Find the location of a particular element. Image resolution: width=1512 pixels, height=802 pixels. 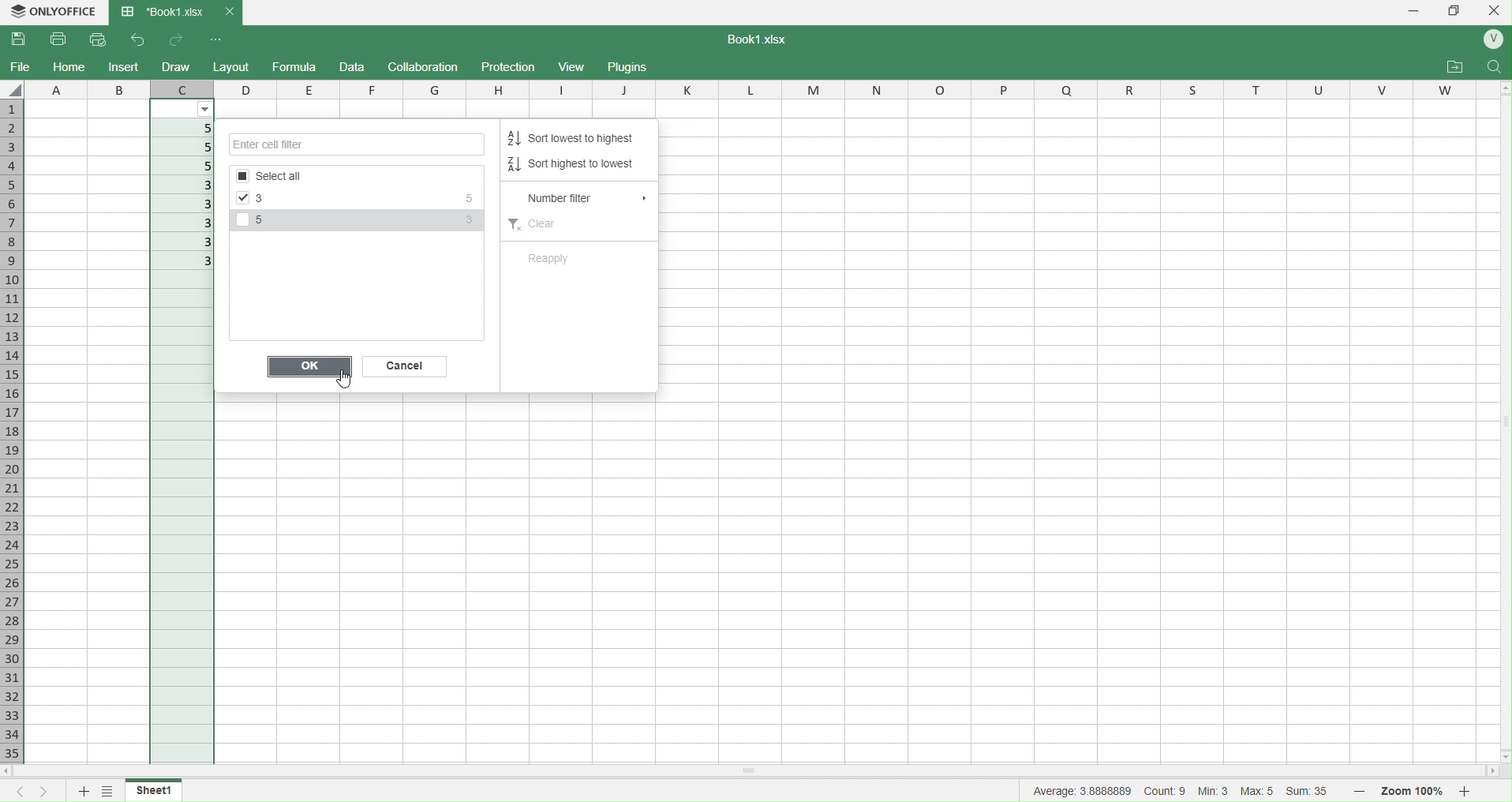

scroll down is located at coordinates (1503, 757).